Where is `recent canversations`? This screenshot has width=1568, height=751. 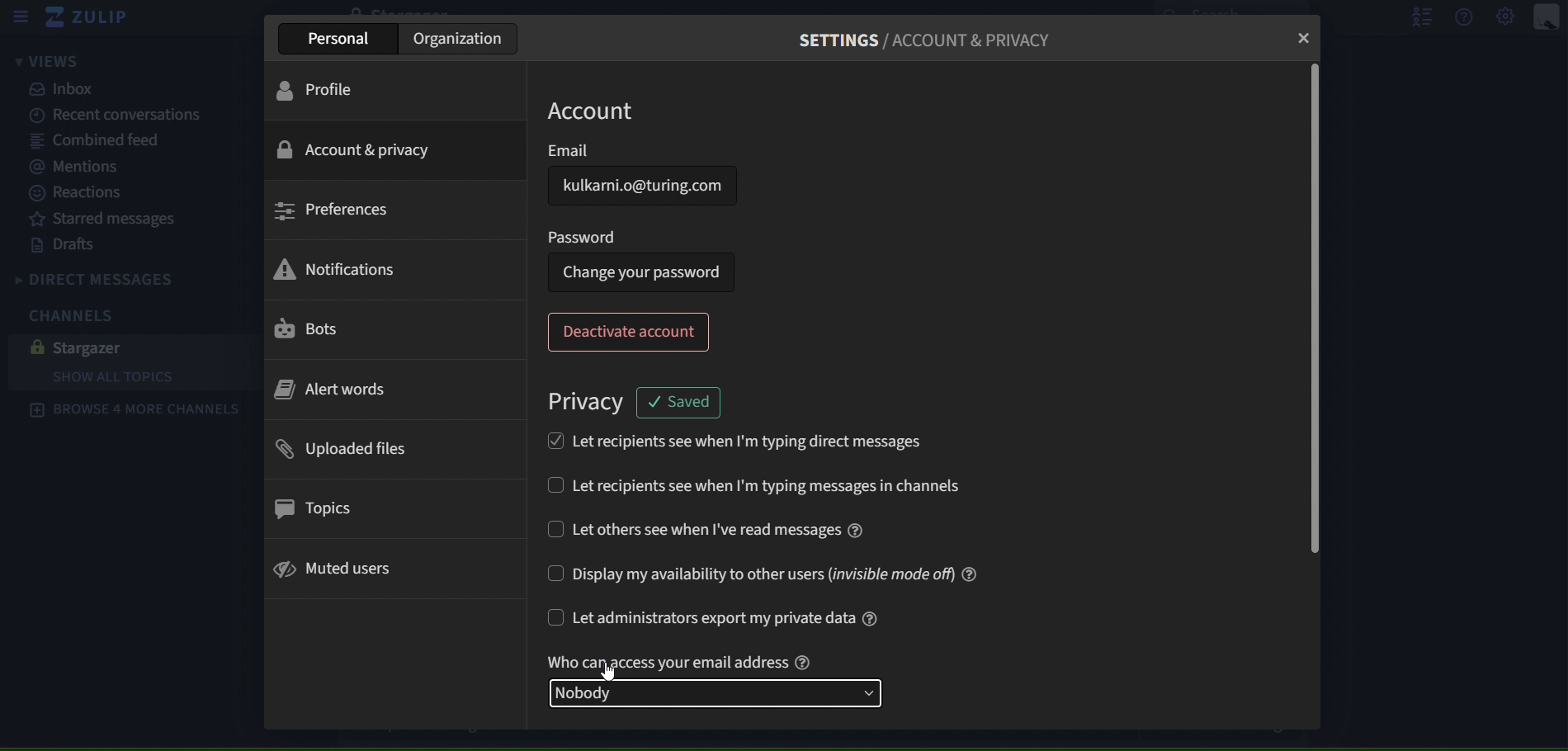 recent canversations is located at coordinates (106, 116).